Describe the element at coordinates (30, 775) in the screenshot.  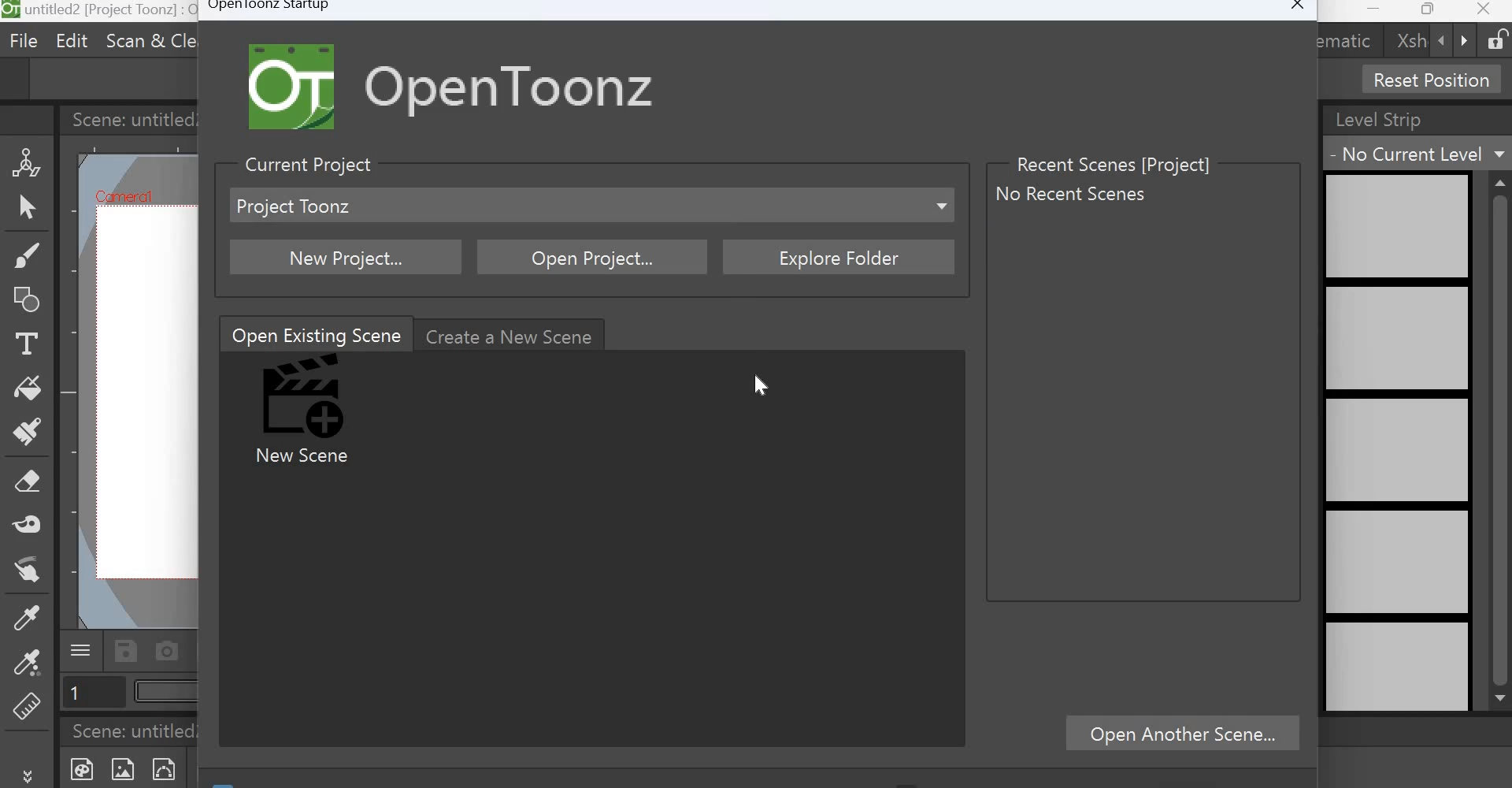
I see `More tools` at that location.